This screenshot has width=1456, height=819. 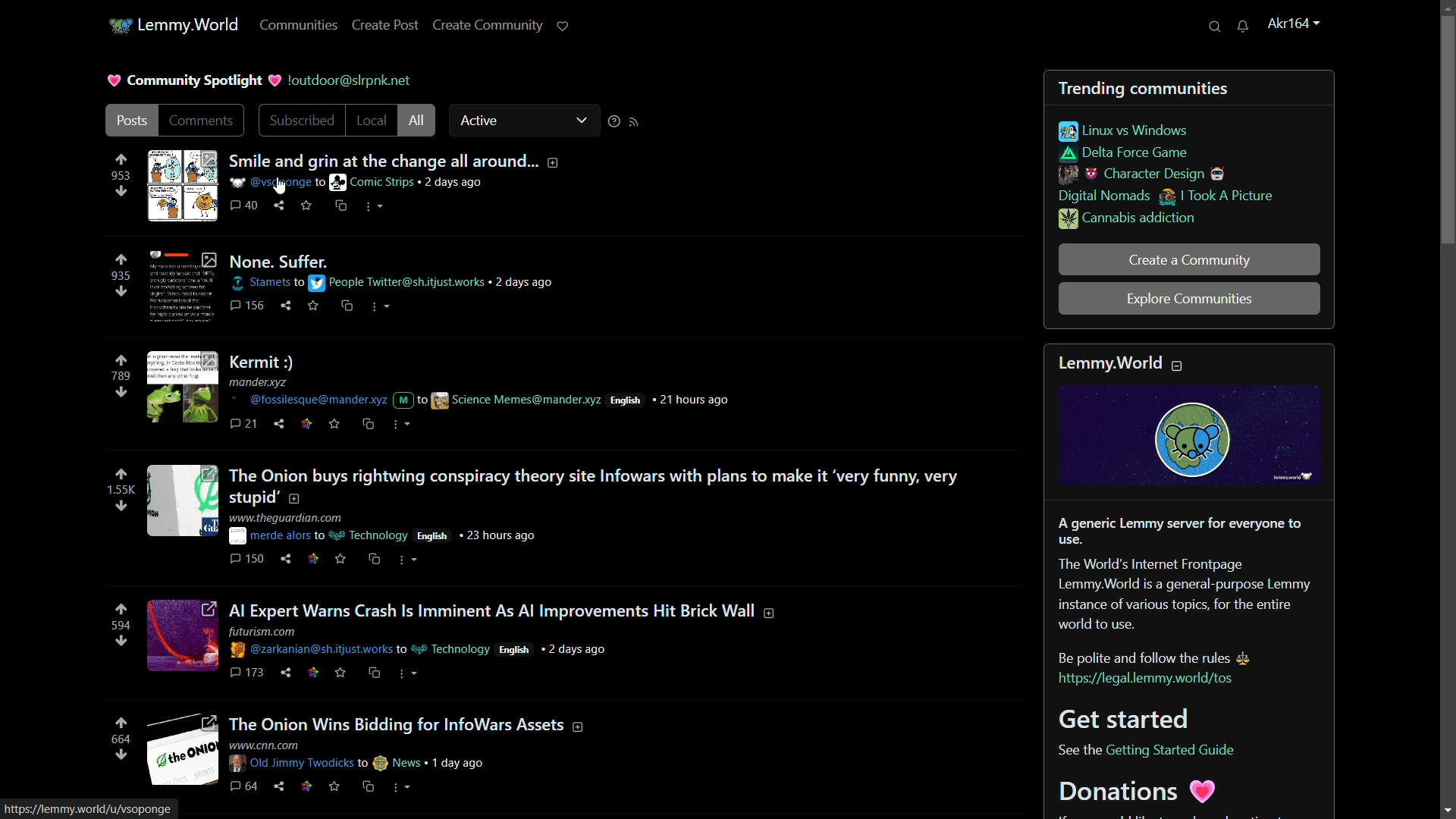 I want to click on cs, so click(x=375, y=560).